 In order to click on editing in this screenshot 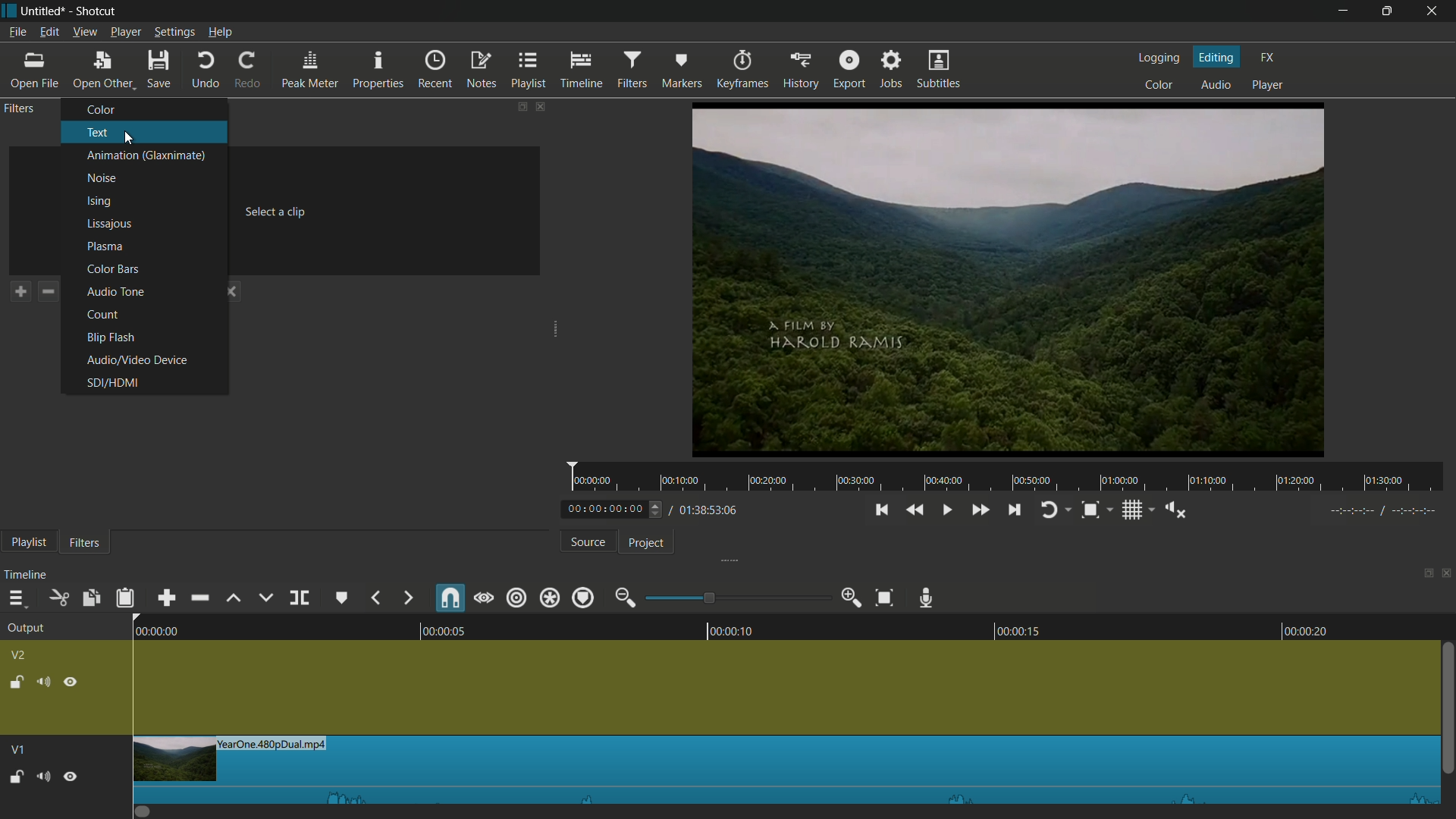, I will do `click(1217, 57)`.